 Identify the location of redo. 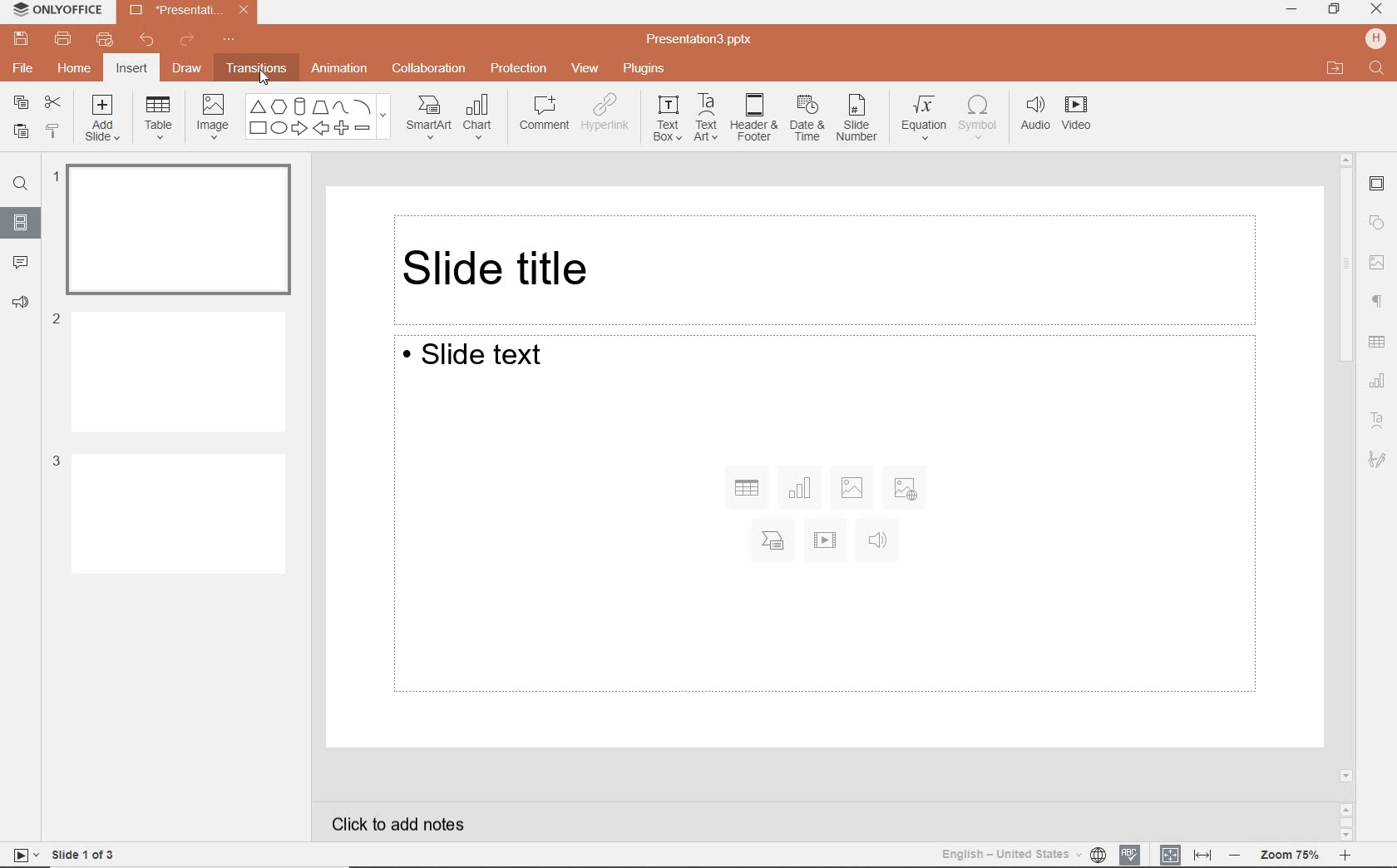
(189, 41).